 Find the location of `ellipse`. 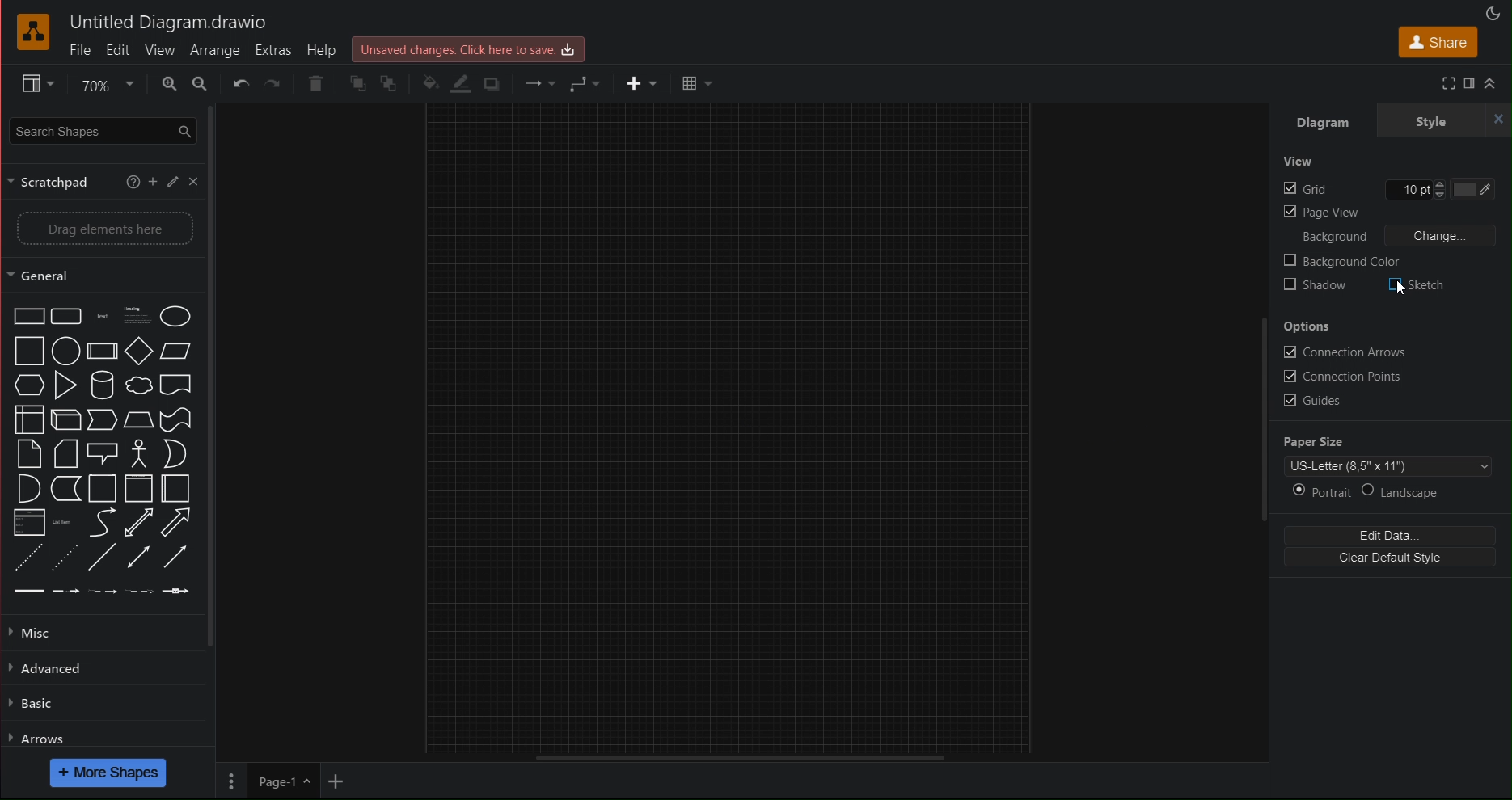

ellipse is located at coordinates (175, 318).